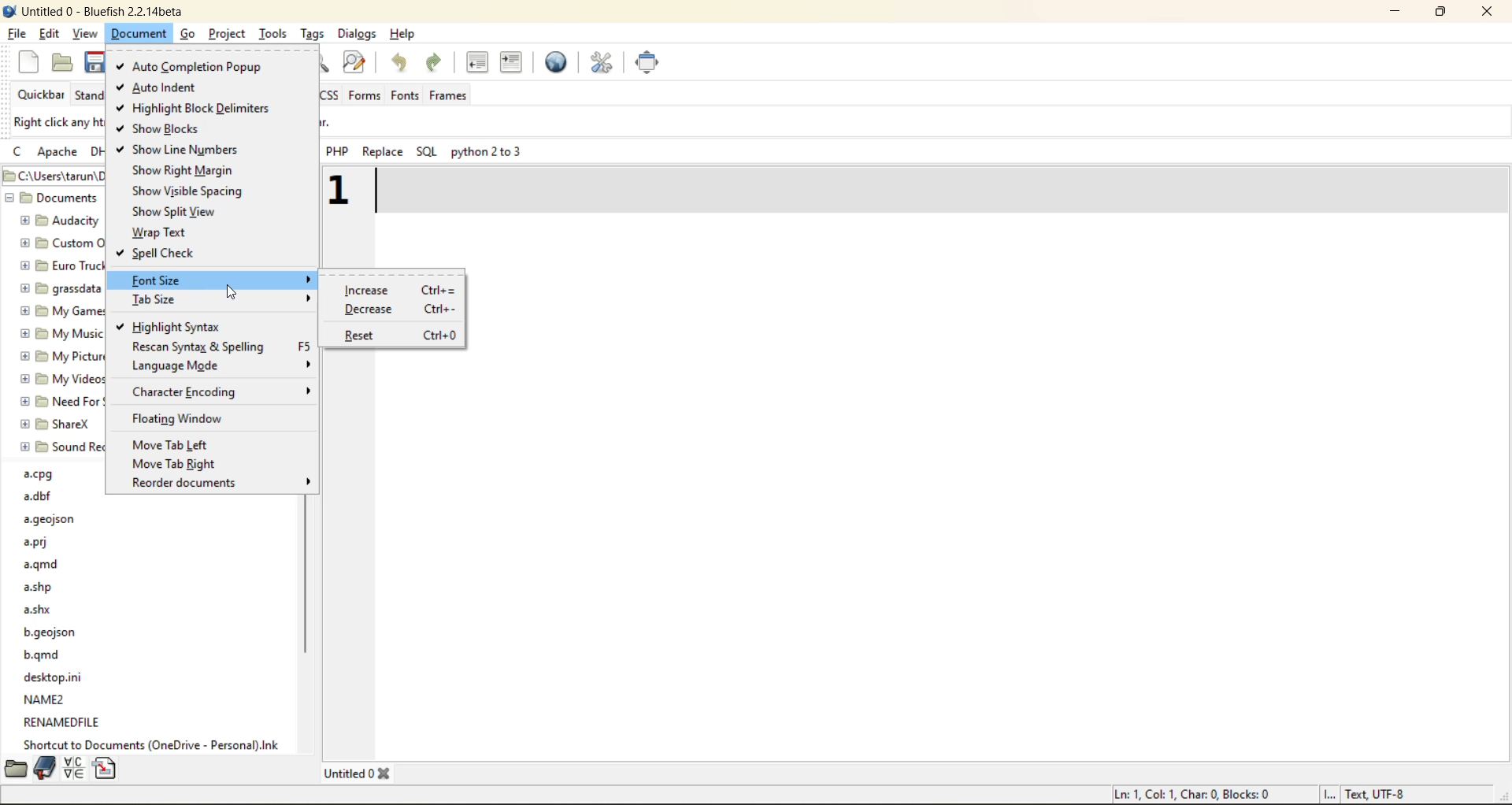  I want to click on Shortcut to documents (OneDrive - Personal).lnk, so click(154, 744).